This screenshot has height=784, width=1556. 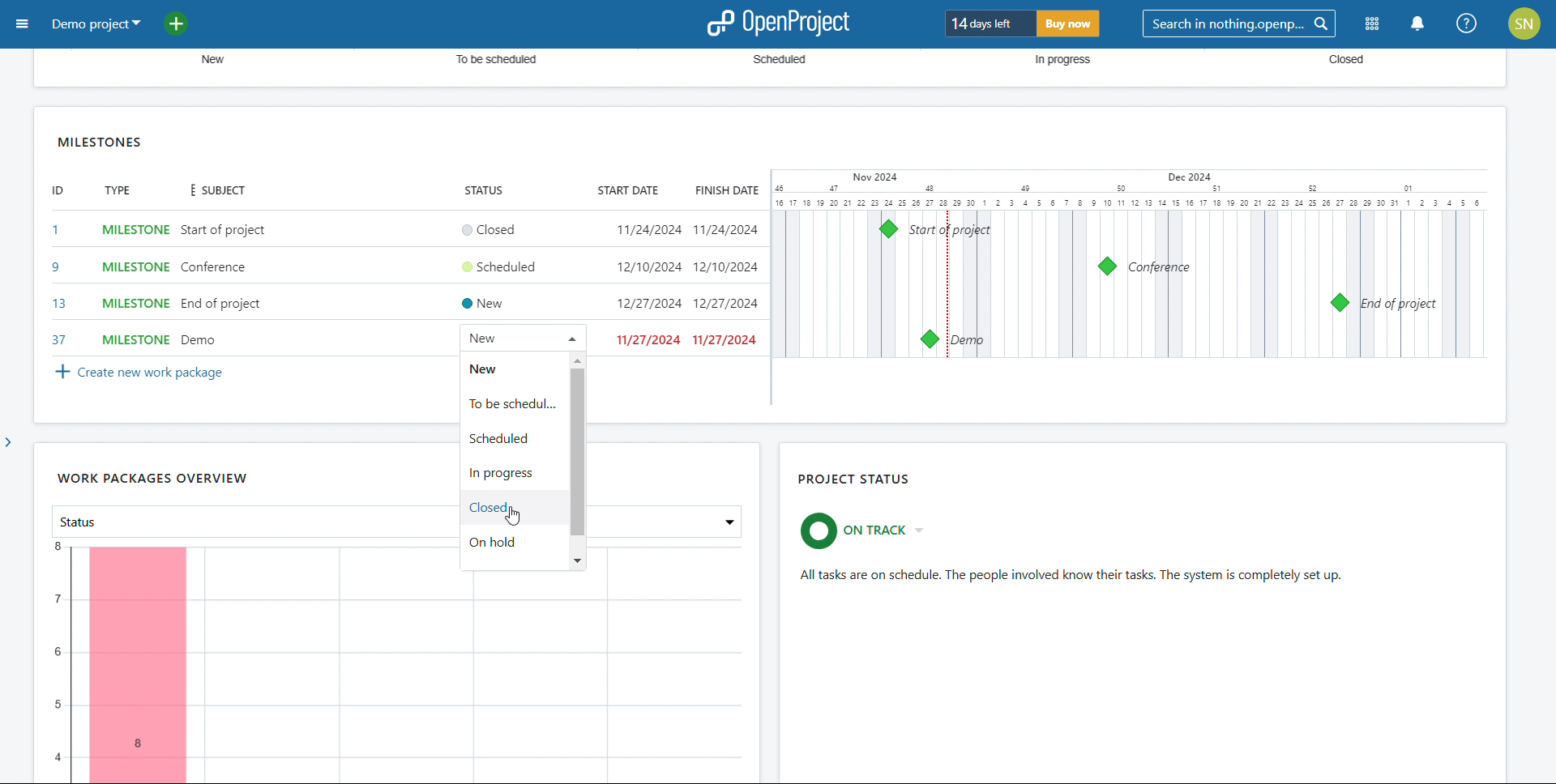 What do you see at coordinates (728, 284) in the screenshot?
I see `set end date` at bounding box center [728, 284].